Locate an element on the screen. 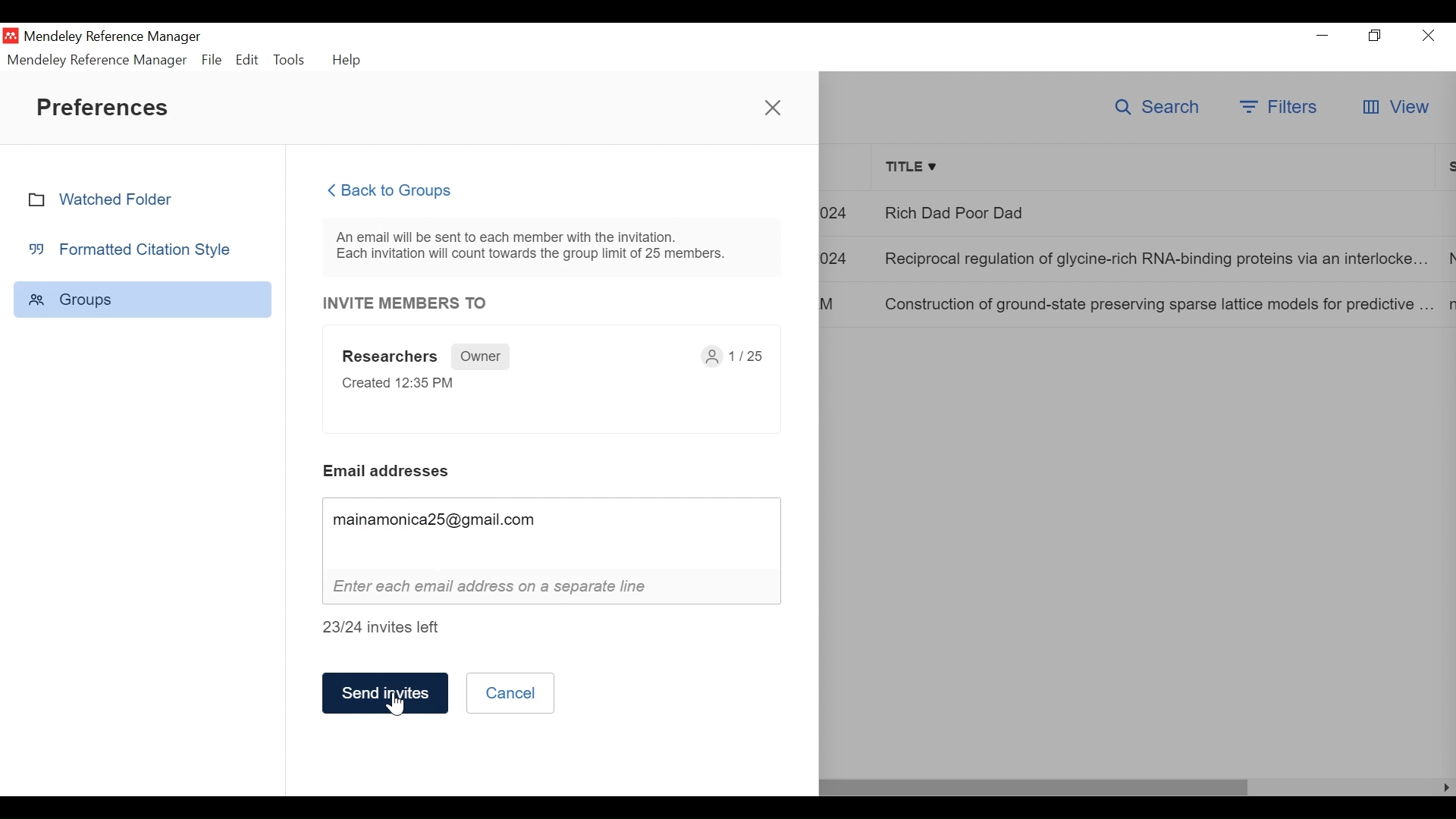 The image size is (1456, 819). Formatted Citation Style is located at coordinates (136, 249).